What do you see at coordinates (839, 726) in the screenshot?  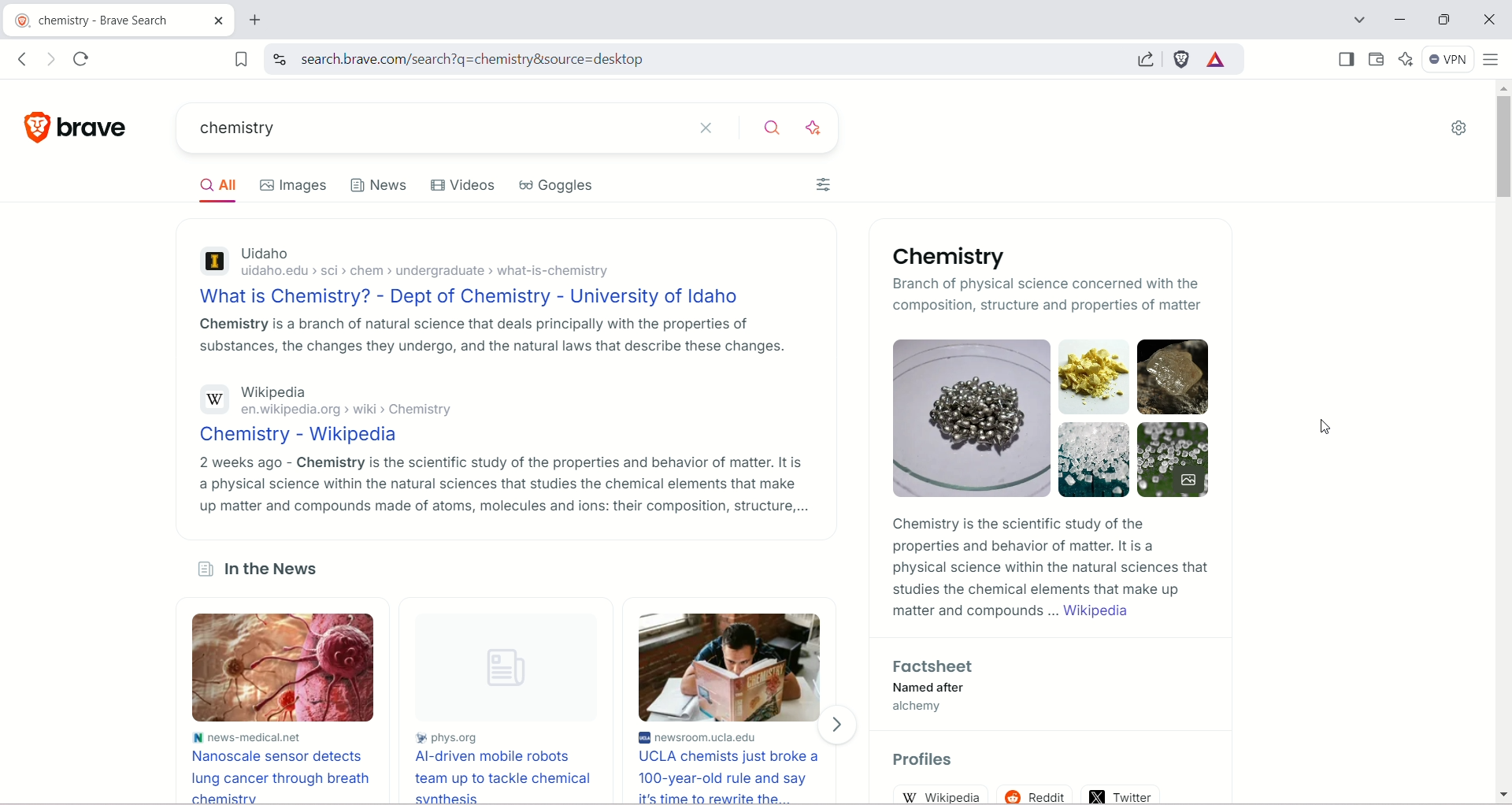 I see `forward` at bounding box center [839, 726].